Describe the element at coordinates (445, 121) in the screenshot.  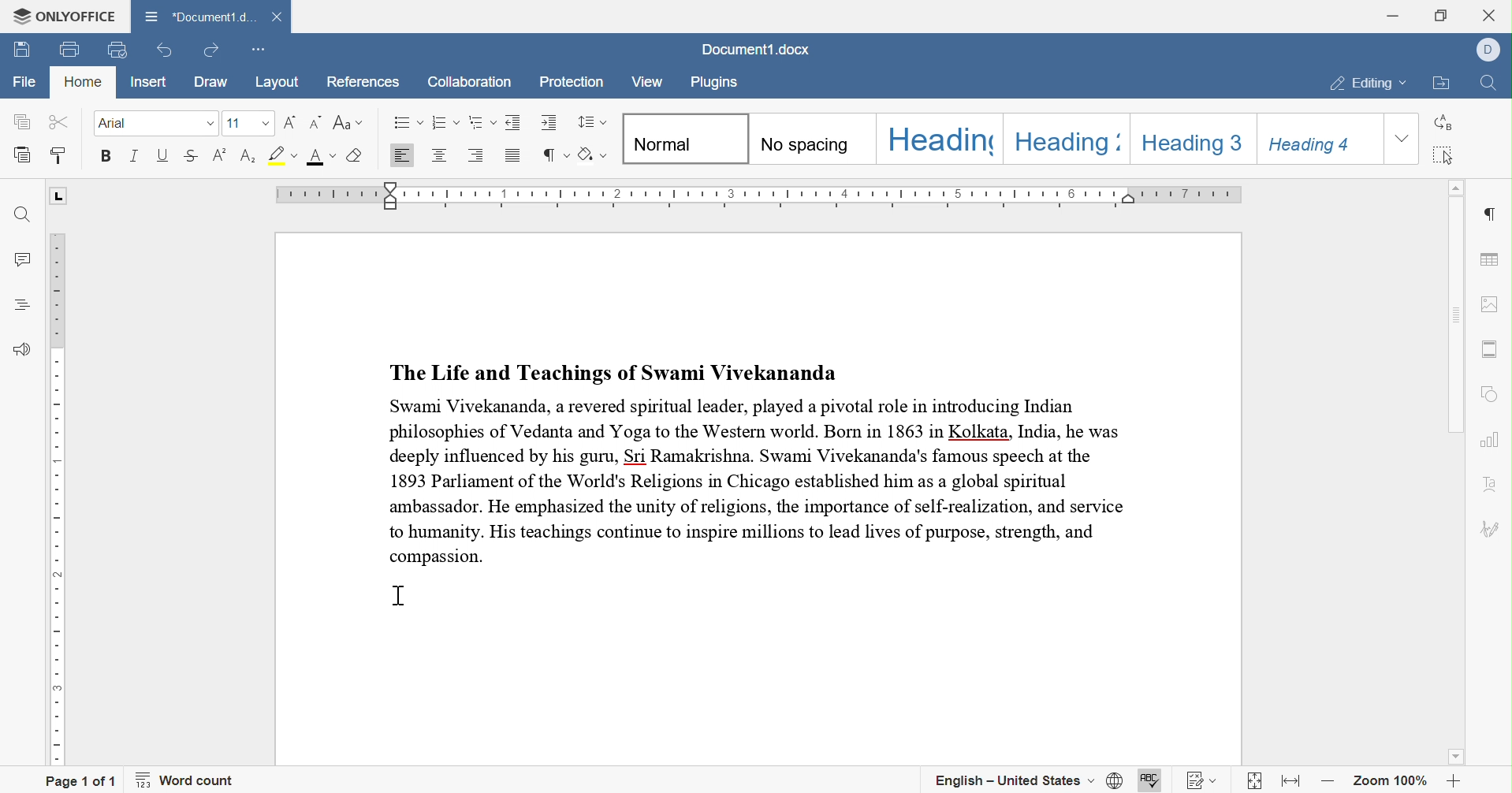
I see `numbering` at that location.